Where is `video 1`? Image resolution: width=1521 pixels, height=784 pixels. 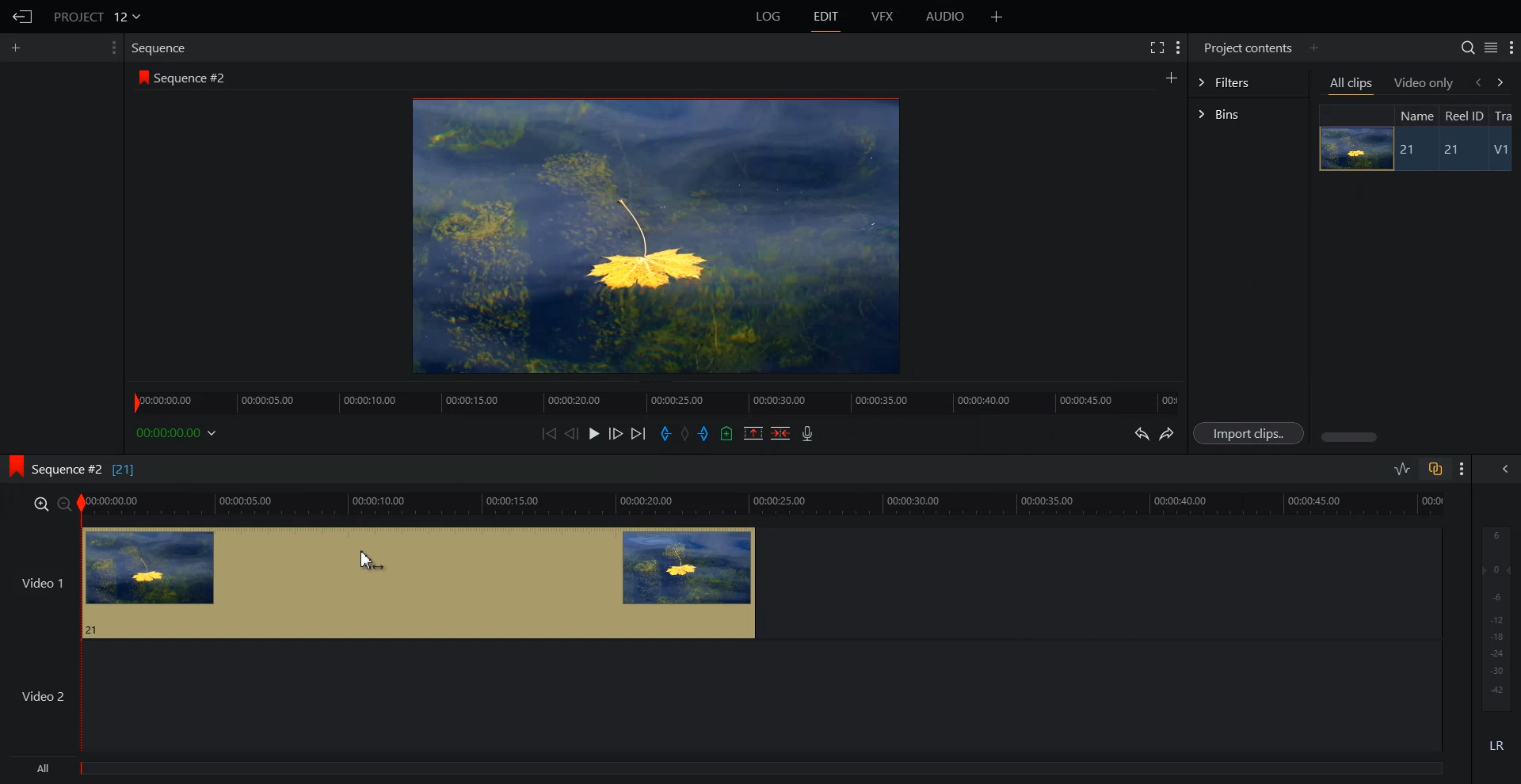
video 1 is located at coordinates (379, 580).